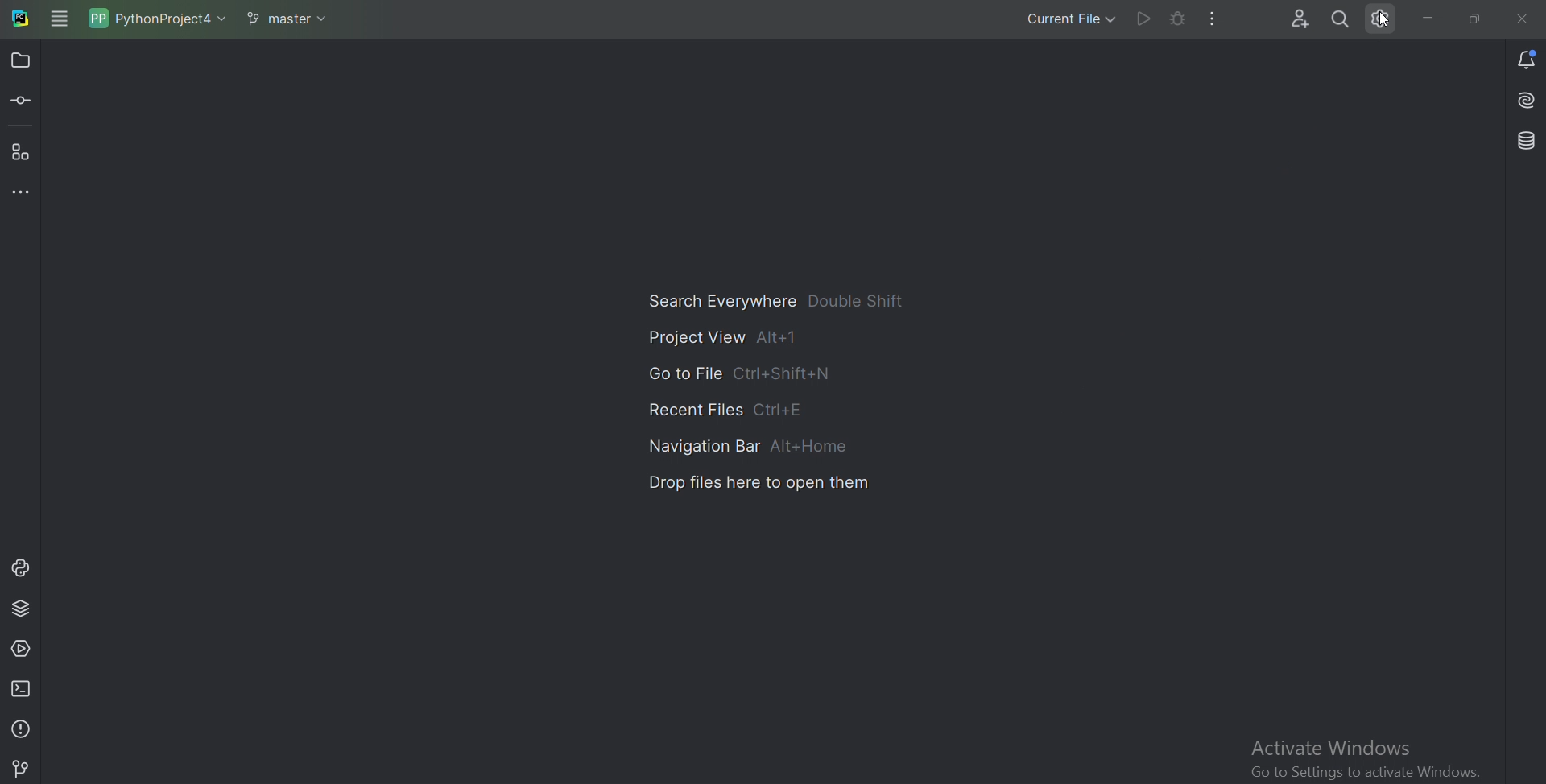 The width and height of the screenshot is (1546, 784). Describe the element at coordinates (1428, 16) in the screenshot. I see `minimize ` at that location.